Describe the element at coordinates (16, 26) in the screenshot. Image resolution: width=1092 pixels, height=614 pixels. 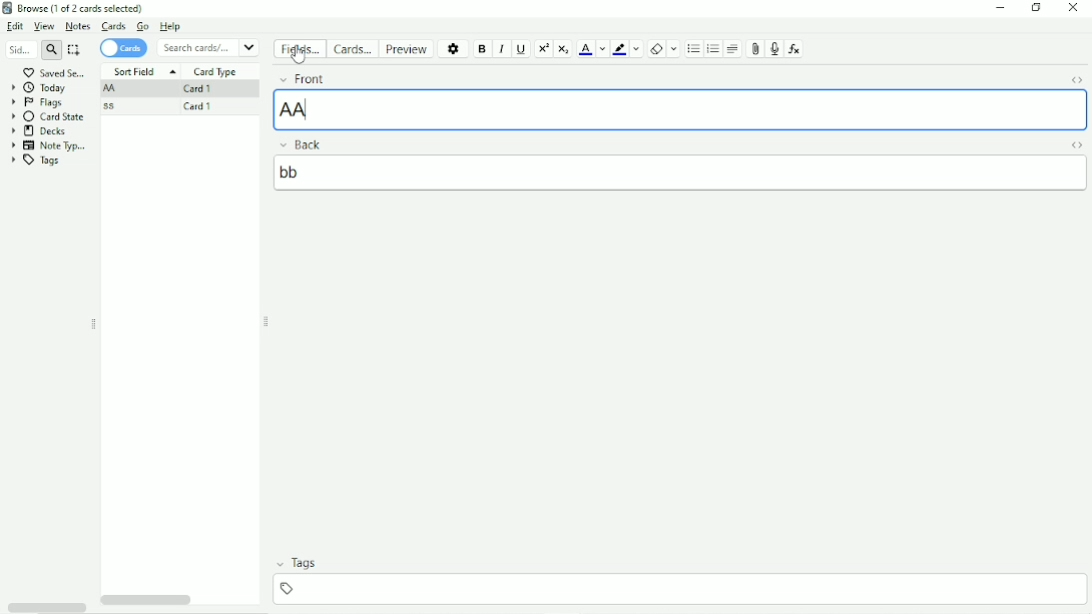
I see `Edit` at that location.